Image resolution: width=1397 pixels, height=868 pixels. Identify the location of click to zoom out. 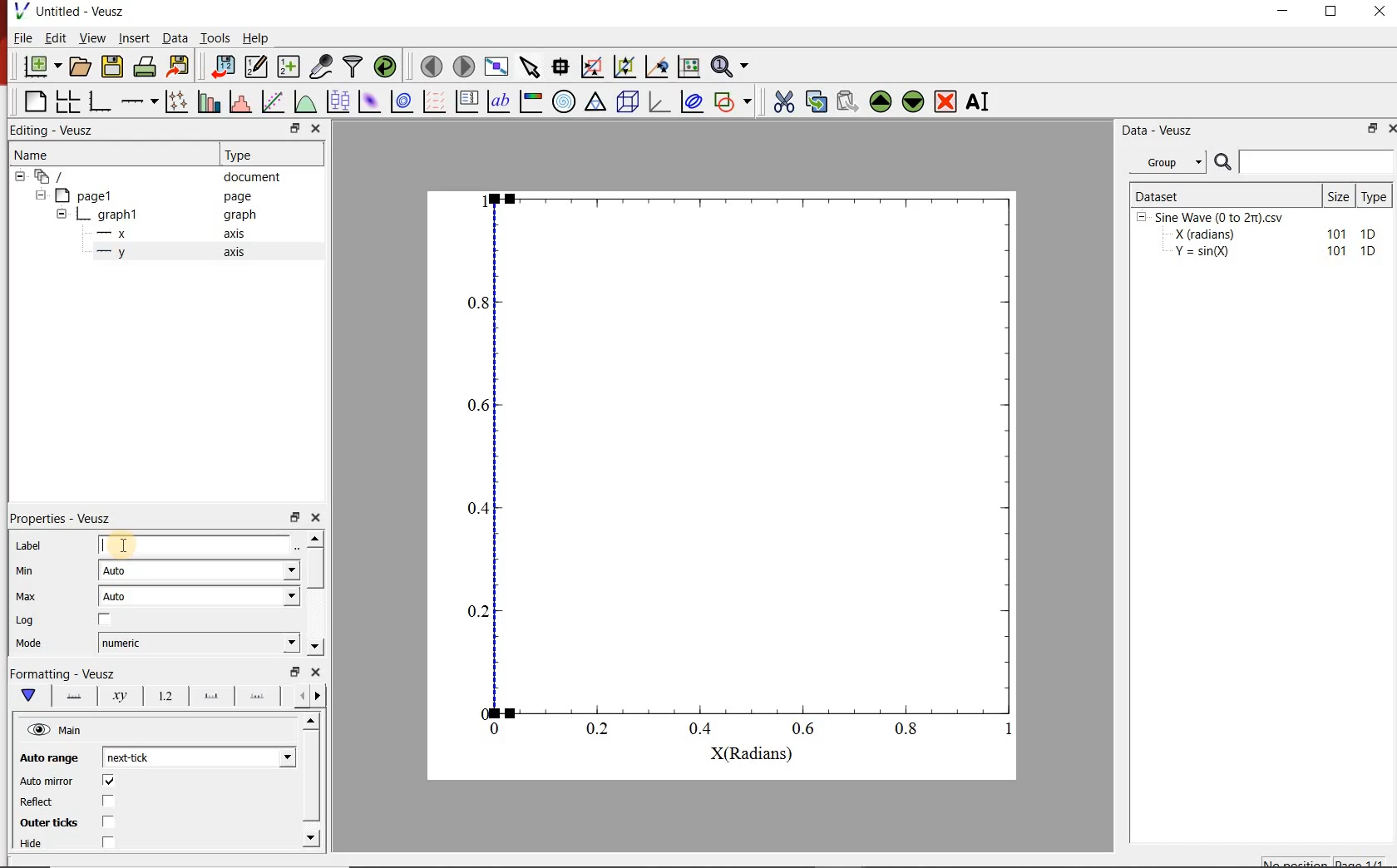
(627, 65).